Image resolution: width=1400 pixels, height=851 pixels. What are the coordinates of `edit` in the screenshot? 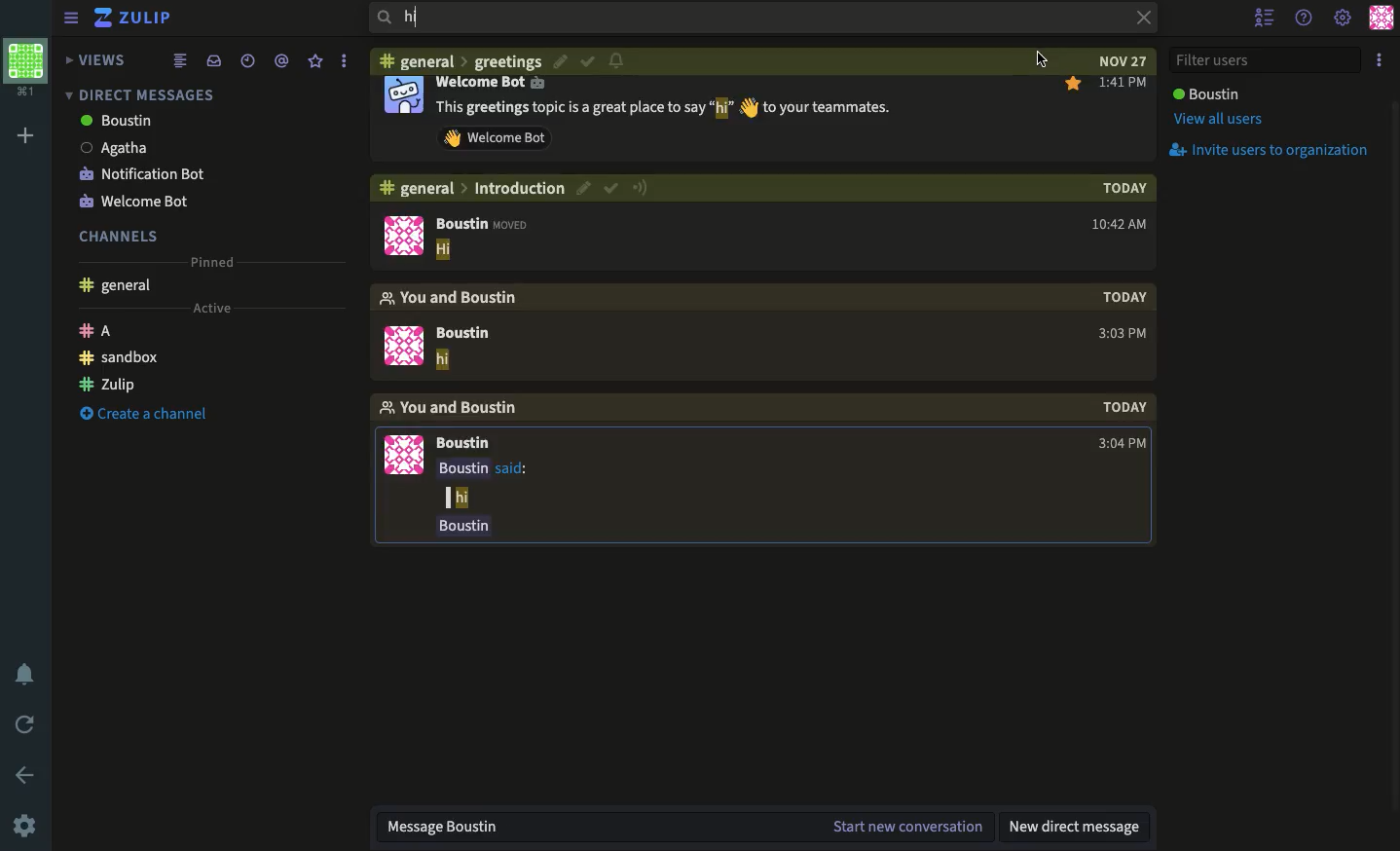 It's located at (585, 189).